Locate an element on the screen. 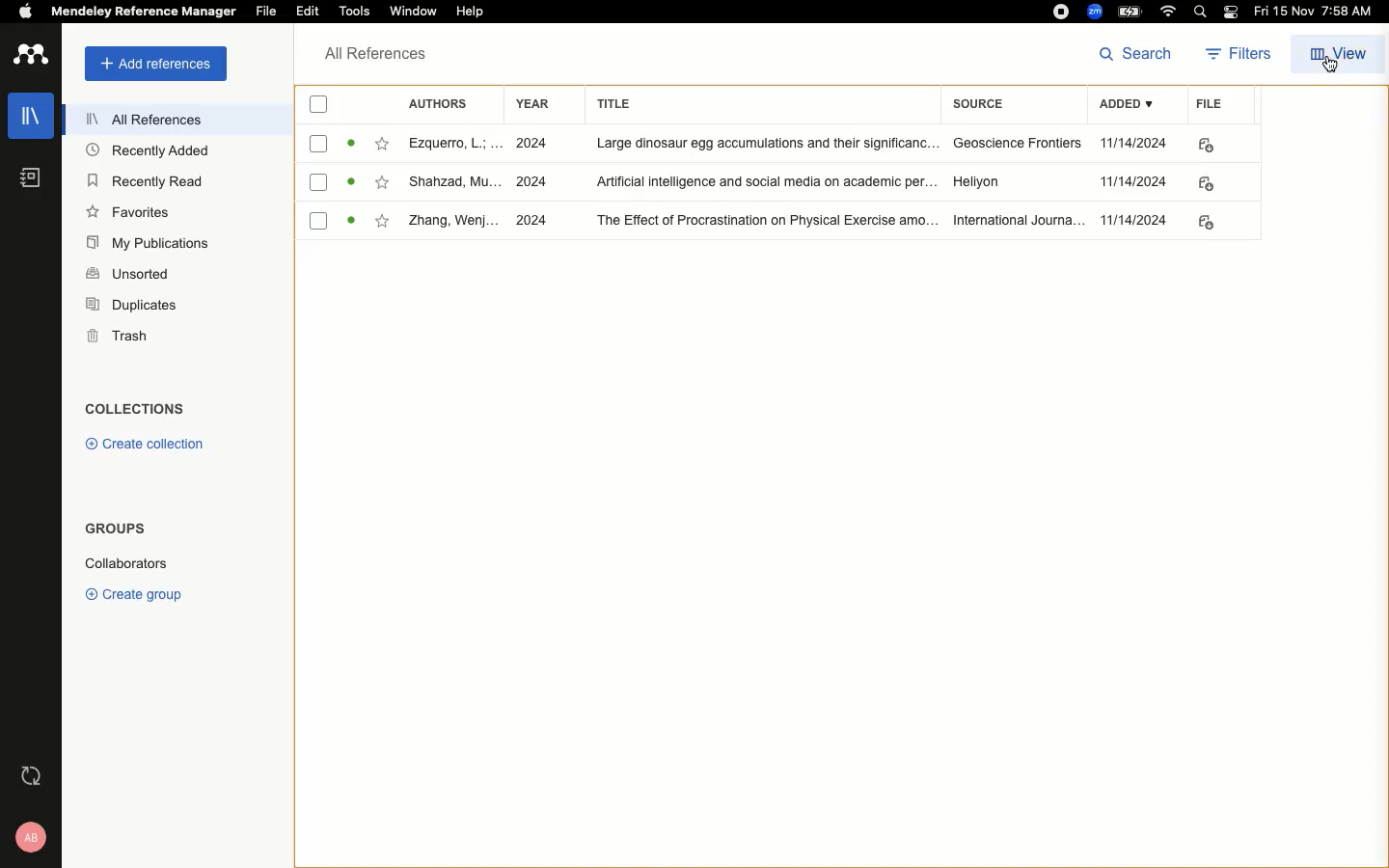 The width and height of the screenshot is (1389, 868). PDF is located at coordinates (1206, 146).